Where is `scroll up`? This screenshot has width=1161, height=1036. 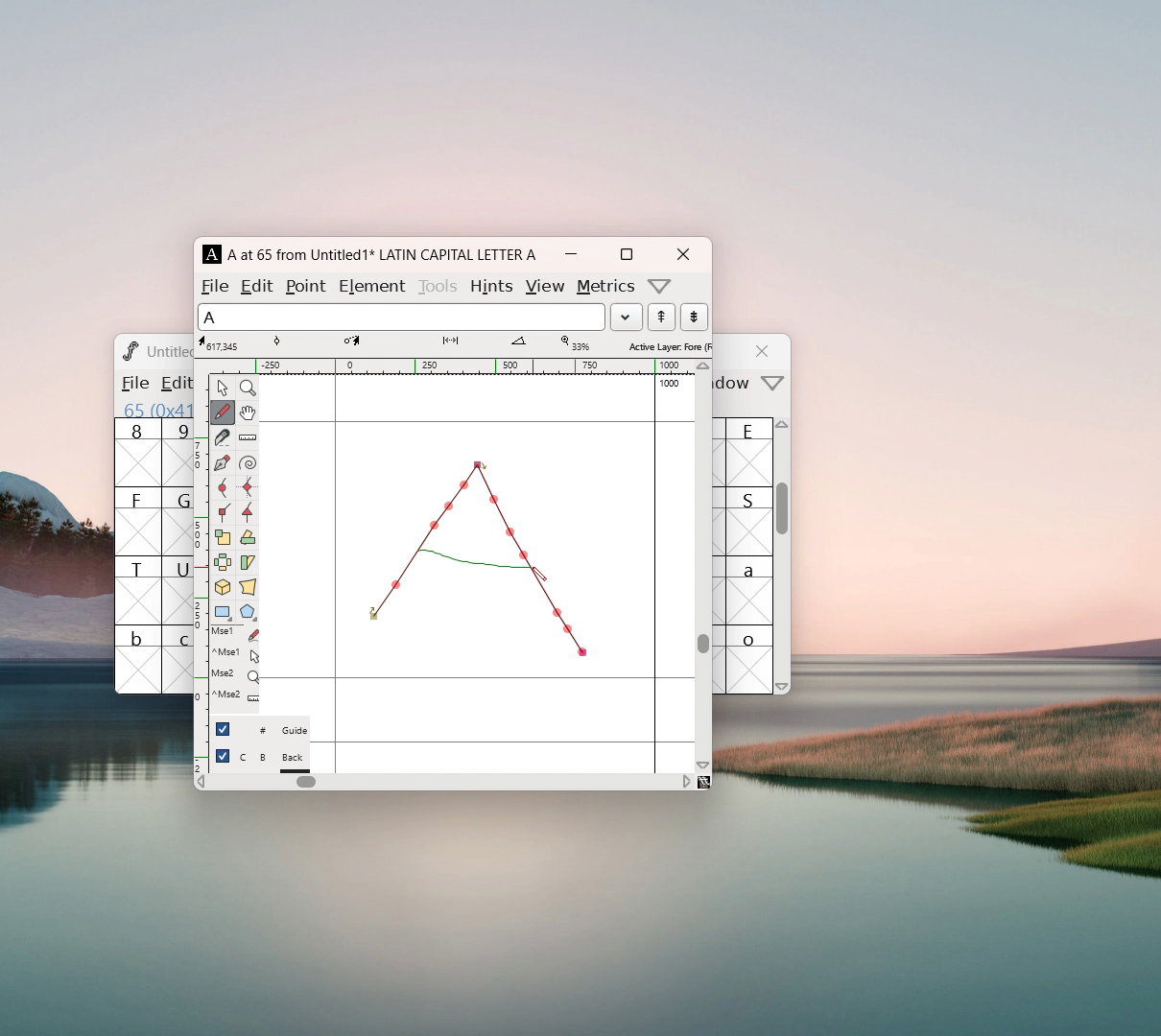
scroll up is located at coordinates (784, 429).